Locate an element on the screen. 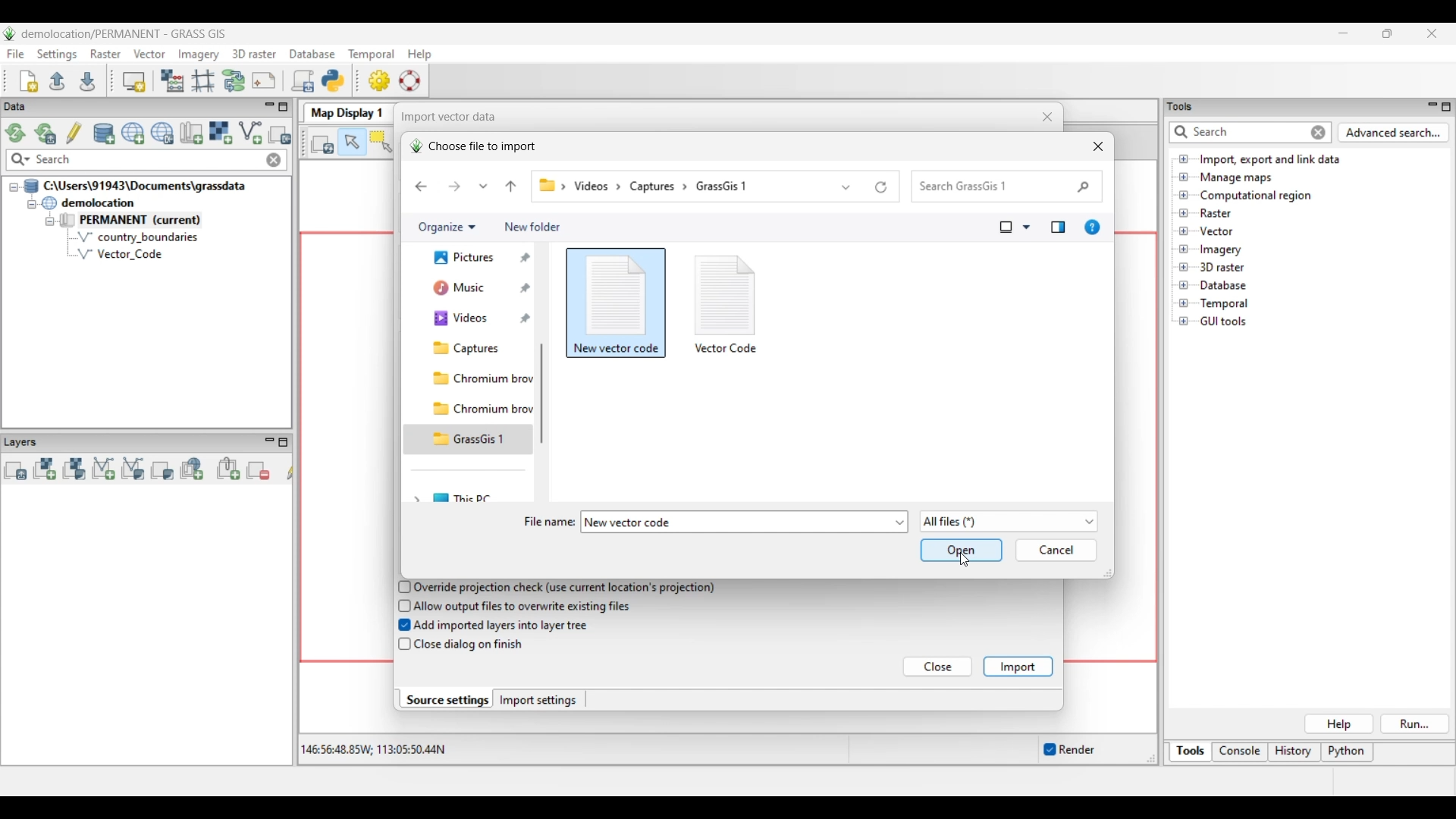  Minimize Tools panel is located at coordinates (1430, 106).